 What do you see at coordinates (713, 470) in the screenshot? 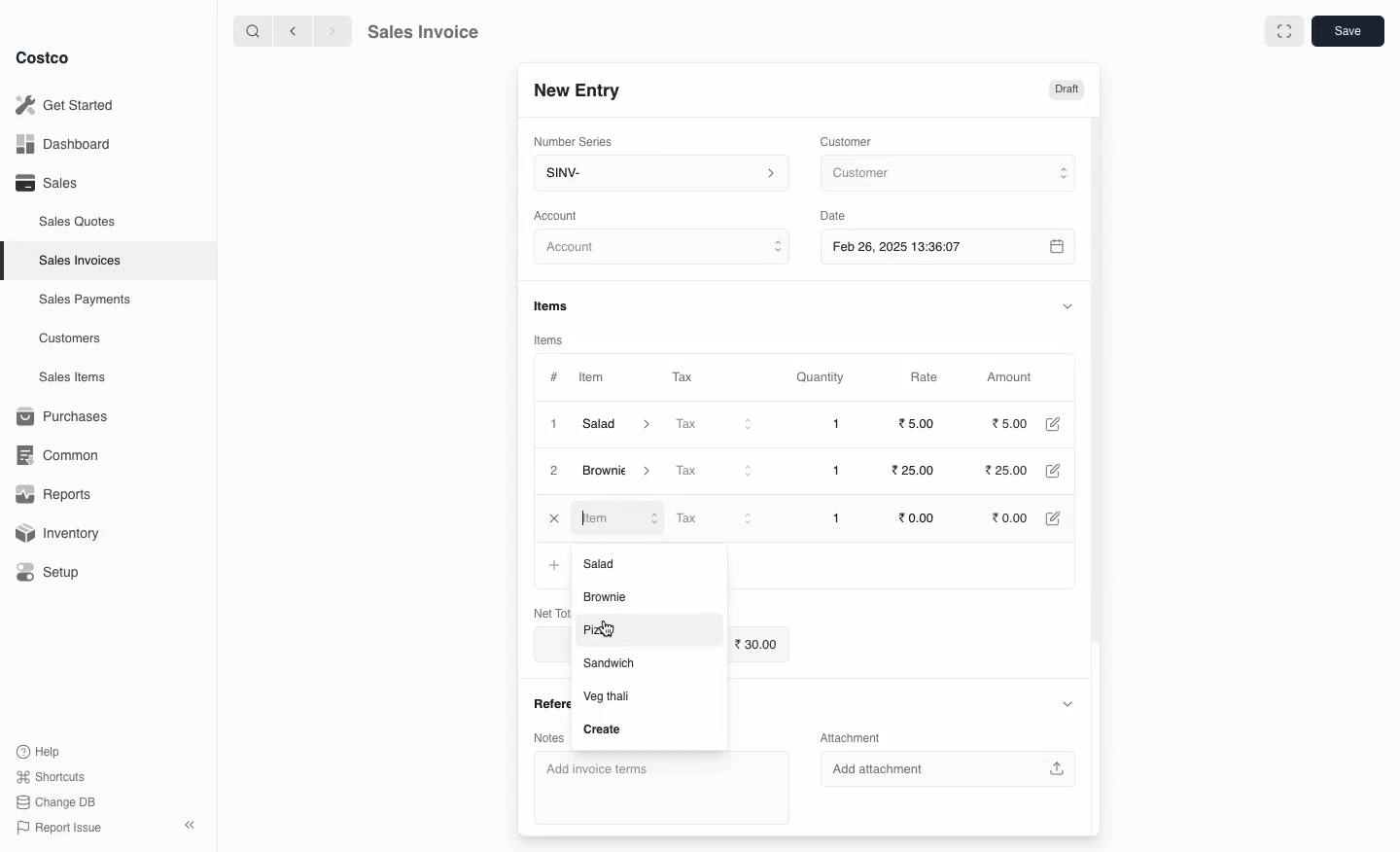
I see `Tax` at bounding box center [713, 470].